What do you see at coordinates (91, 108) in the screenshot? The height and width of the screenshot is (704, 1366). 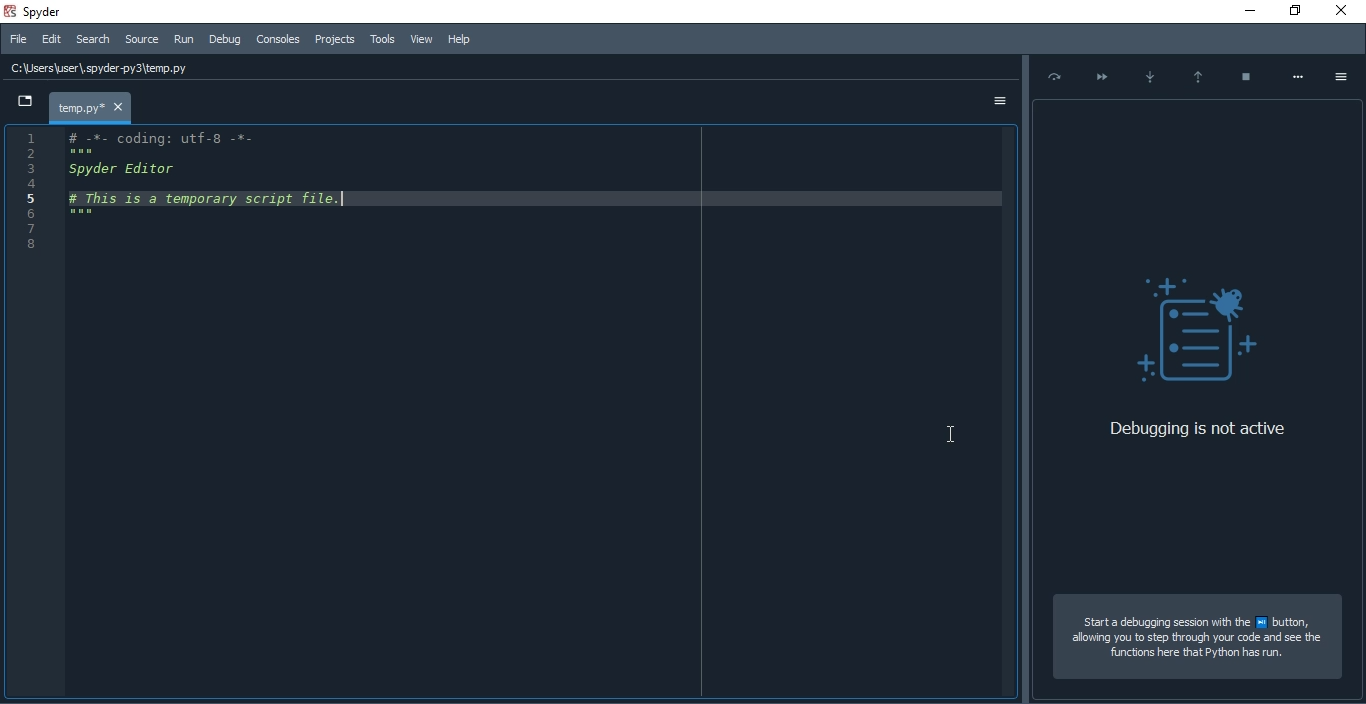 I see `temp.py` at bounding box center [91, 108].